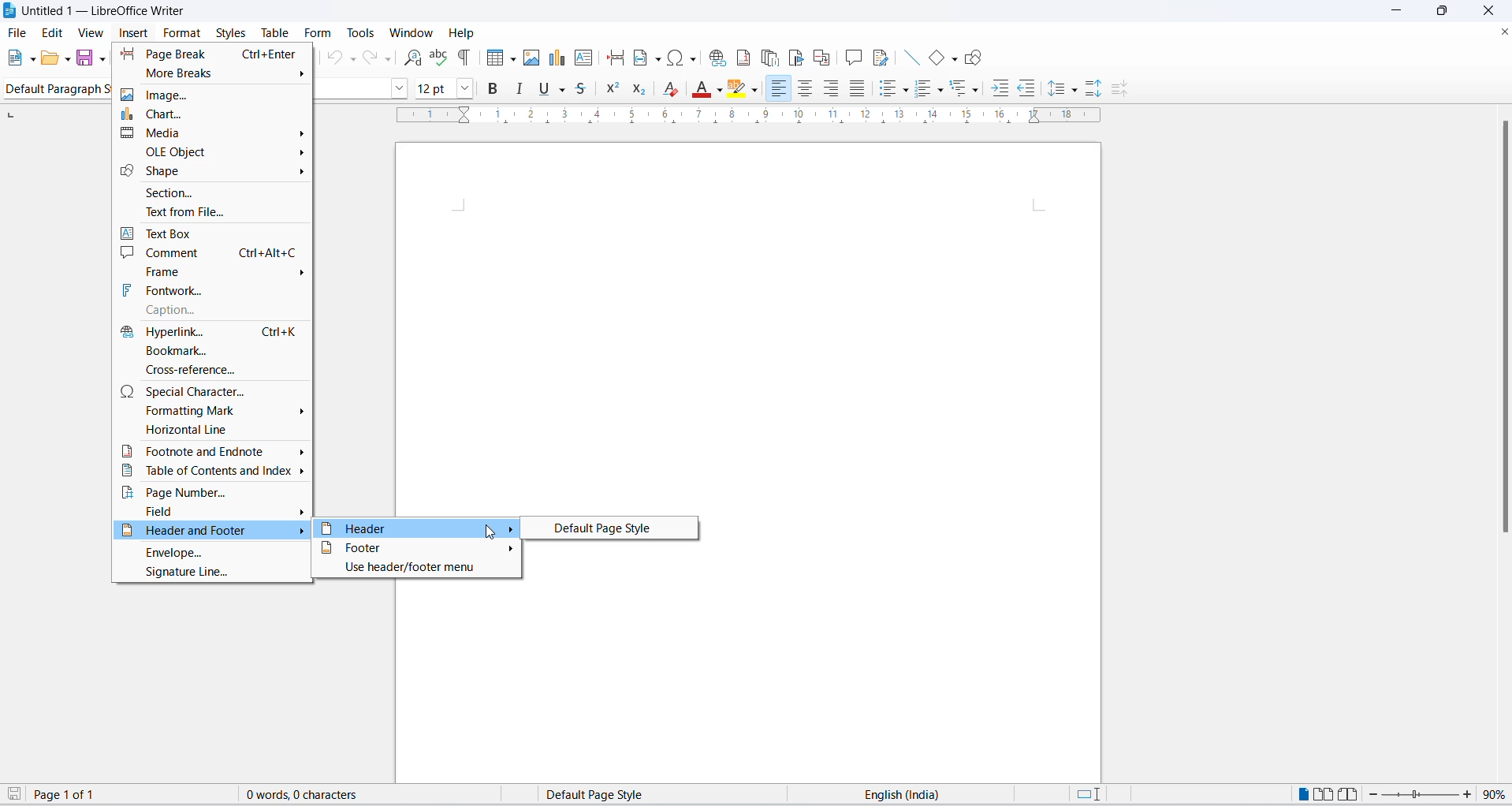 The image size is (1512, 806). What do you see at coordinates (337, 58) in the screenshot?
I see `undo` at bounding box center [337, 58].